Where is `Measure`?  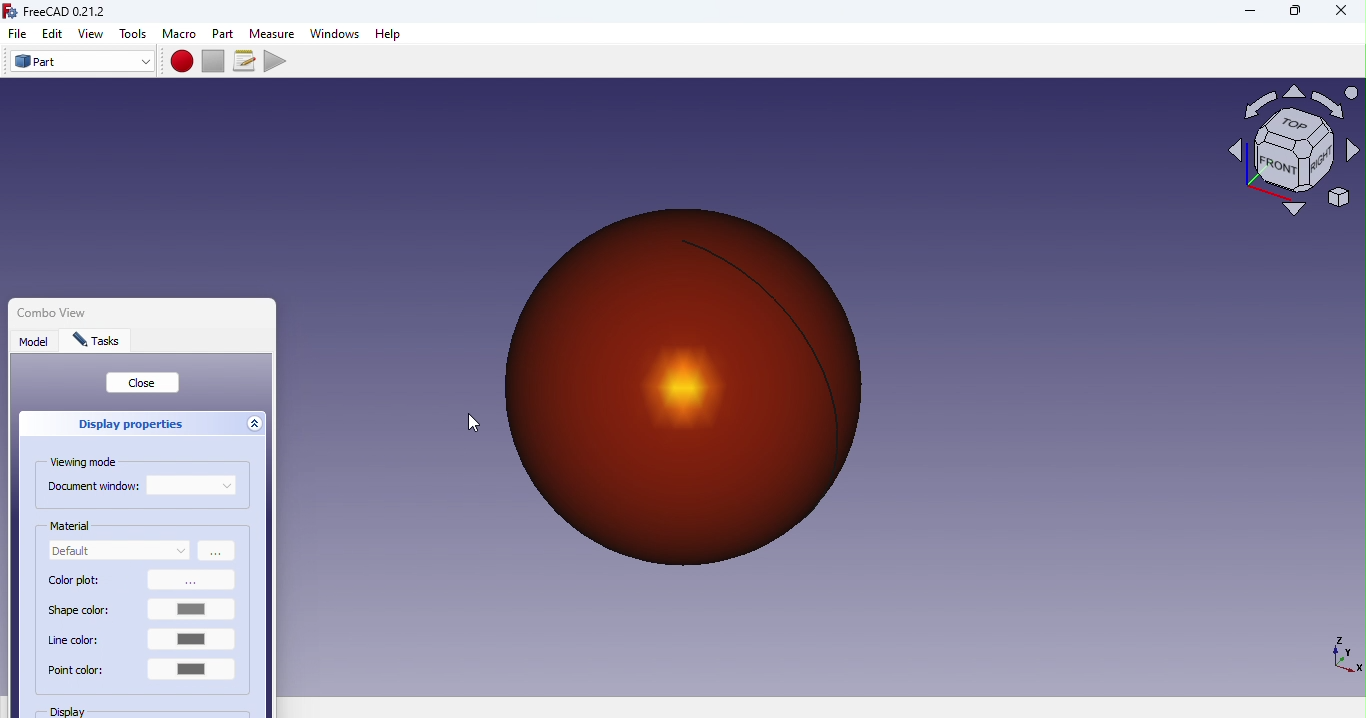
Measure is located at coordinates (272, 33).